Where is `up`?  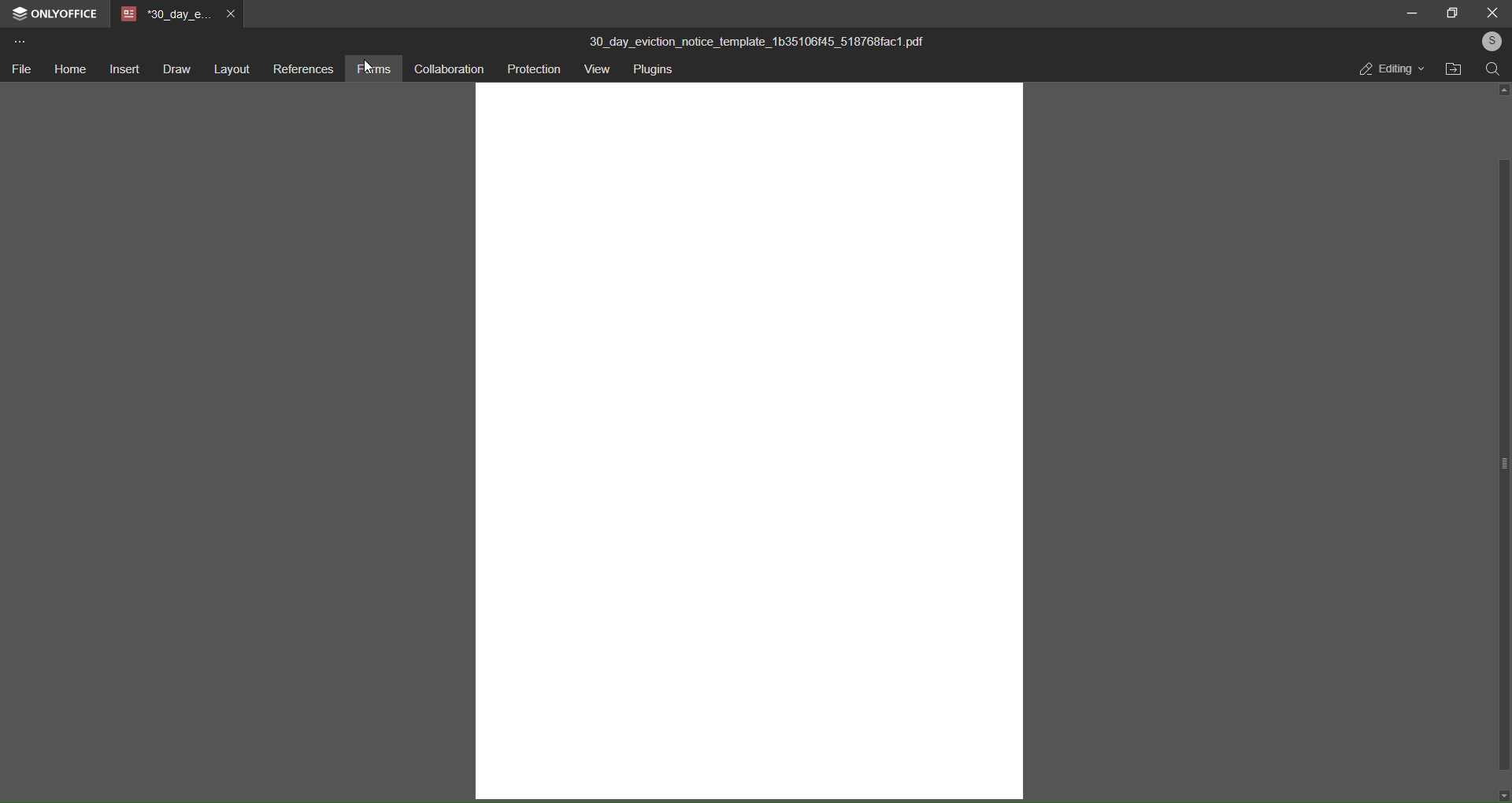 up is located at coordinates (1502, 90).